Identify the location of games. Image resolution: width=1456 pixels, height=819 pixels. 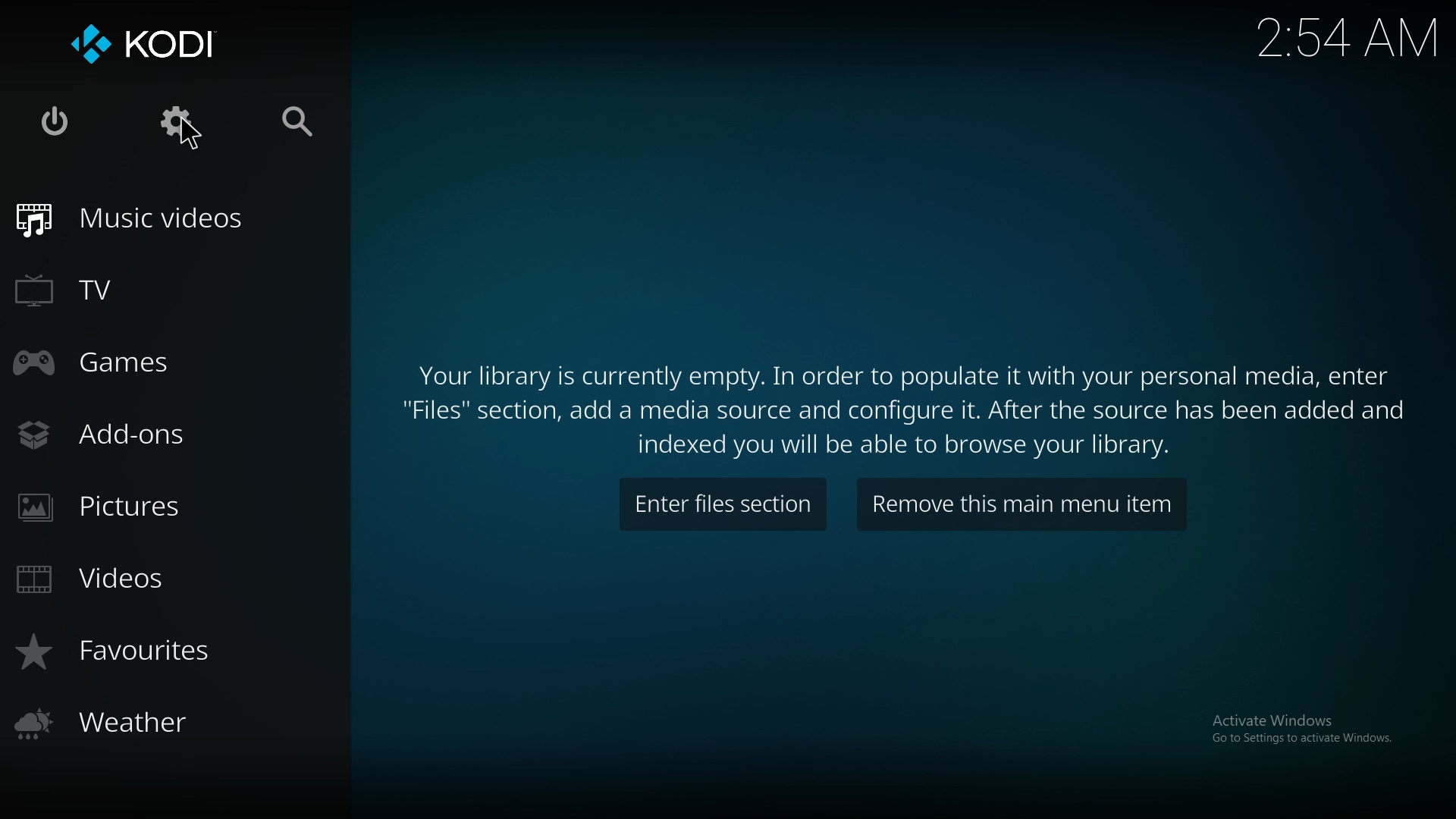
(102, 366).